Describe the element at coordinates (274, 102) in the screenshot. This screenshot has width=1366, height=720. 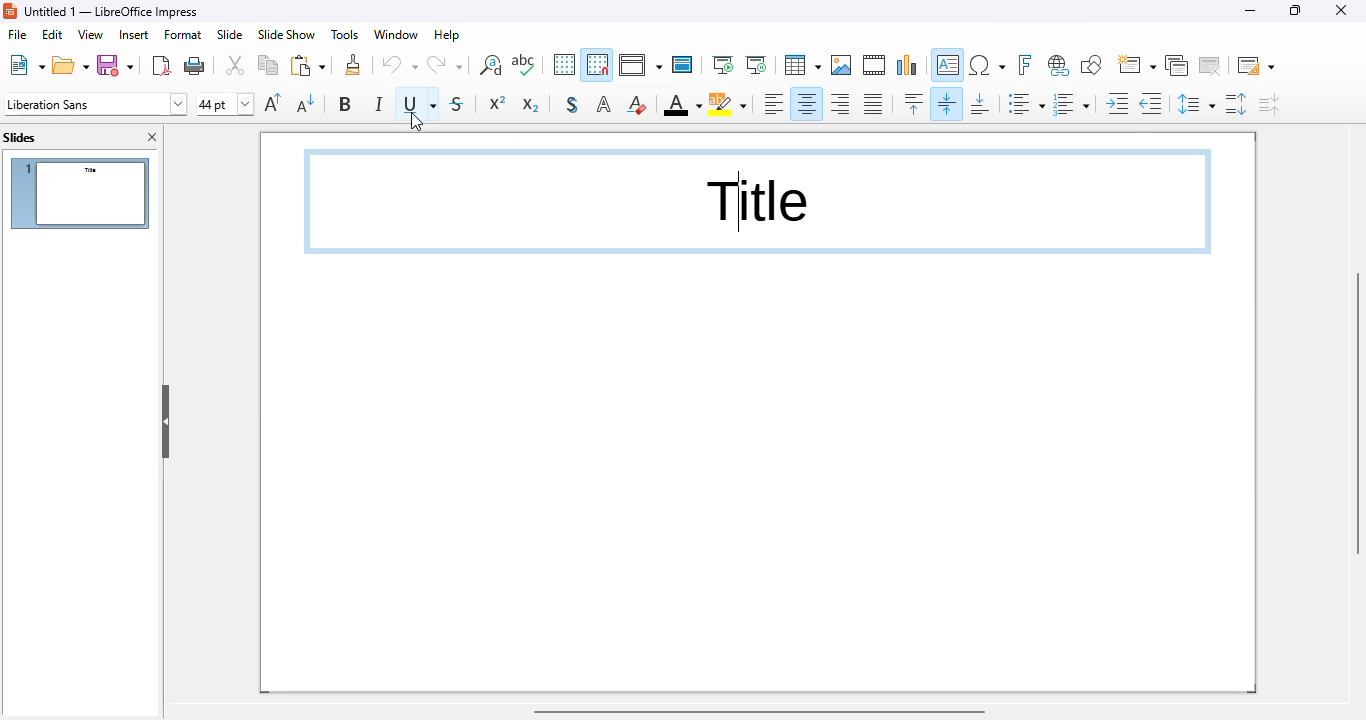
I see `increase font size` at that location.